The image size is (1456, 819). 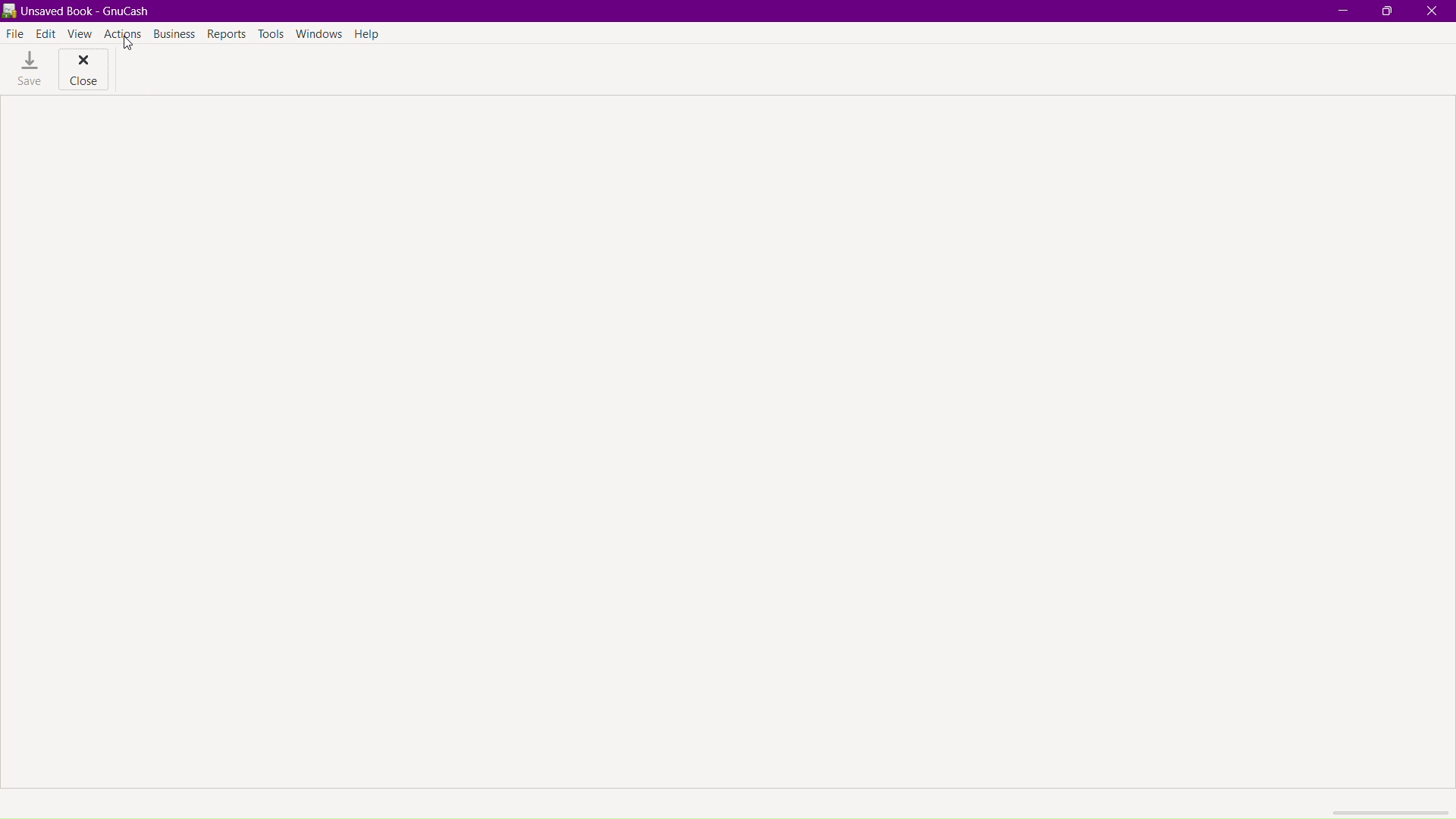 I want to click on Cursor at actions, so click(x=132, y=44).